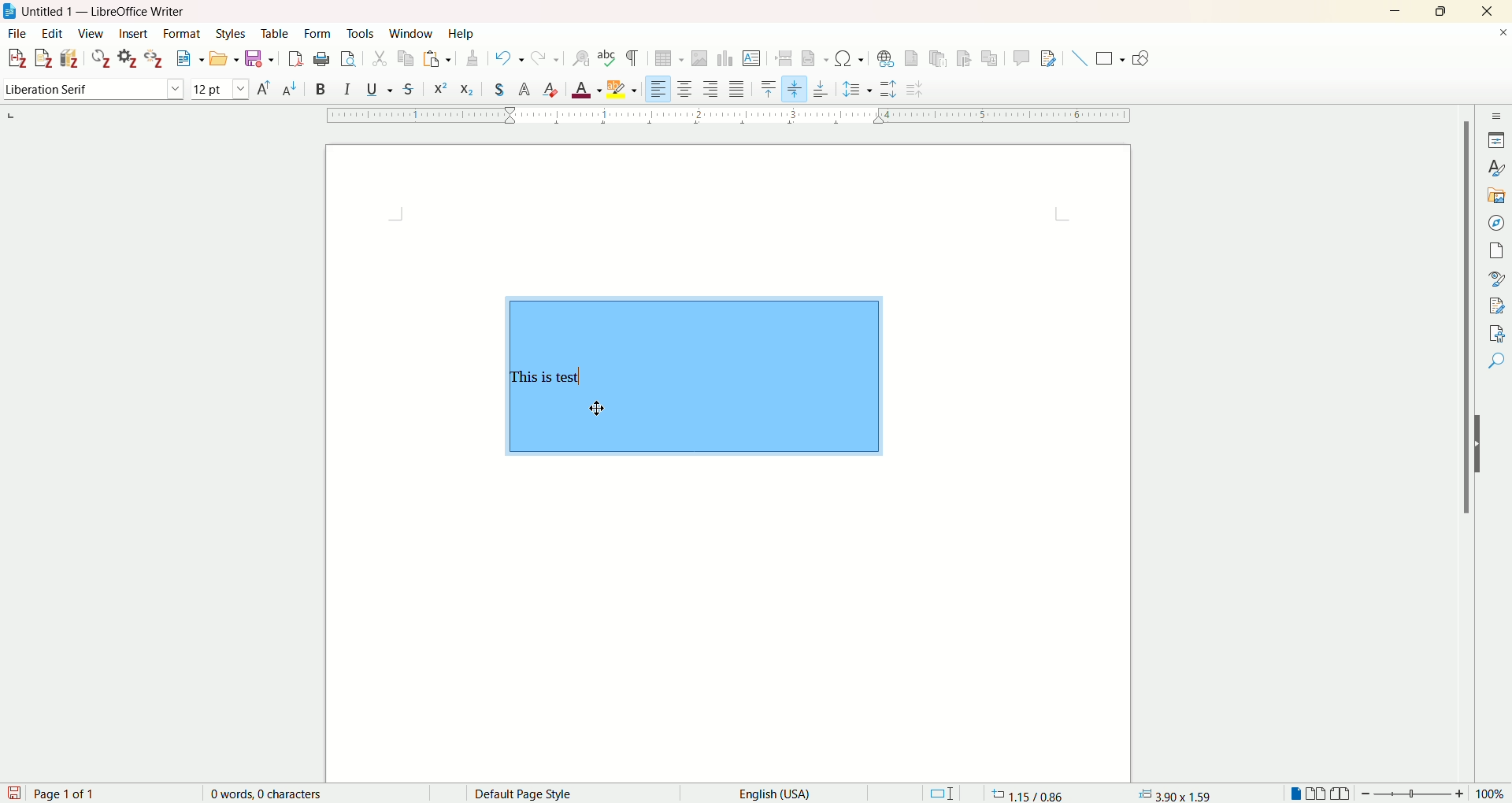 The width and height of the screenshot is (1512, 803). What do you see at coordinates (348, 59) in the screenshot?
I see `toggle print preview` at bounding box center [348, 59].